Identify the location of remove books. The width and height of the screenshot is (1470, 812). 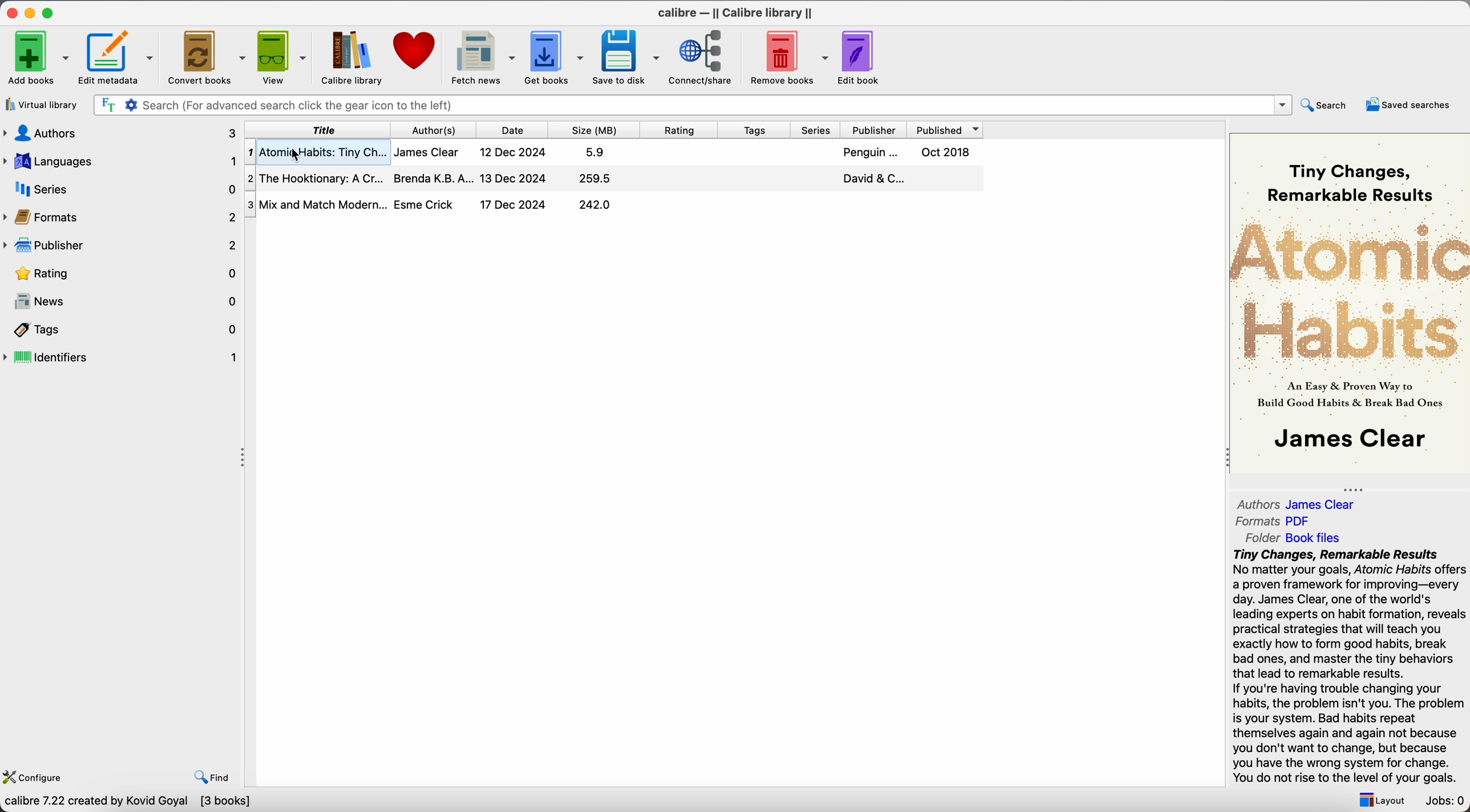
(790, 57).